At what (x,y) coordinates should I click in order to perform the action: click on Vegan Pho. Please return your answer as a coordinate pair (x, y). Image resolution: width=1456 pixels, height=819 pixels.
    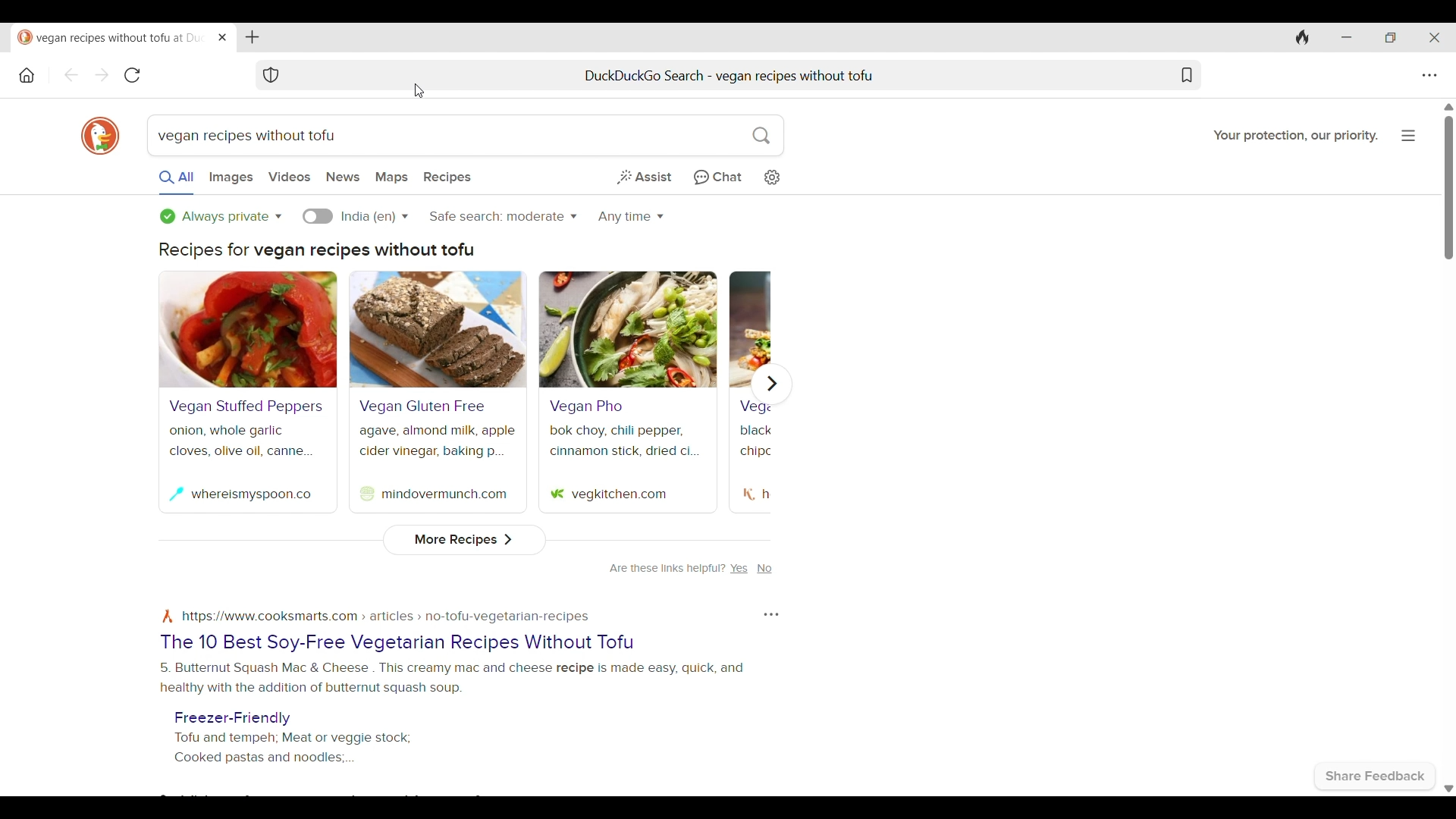
    Looking at the image, I should click on (586, 406).